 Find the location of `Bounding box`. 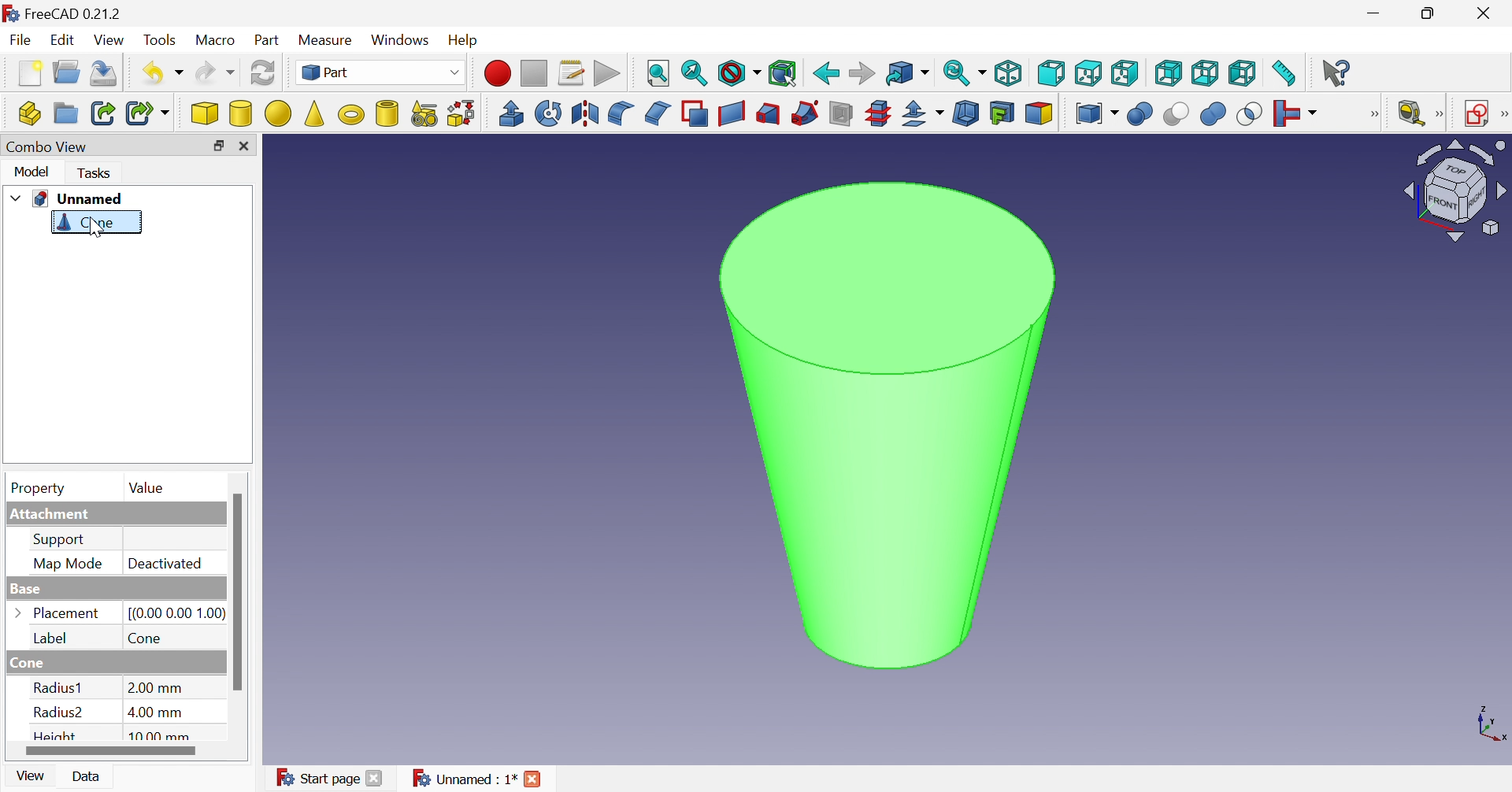

Bounding box is located at coordinates (783, 73).